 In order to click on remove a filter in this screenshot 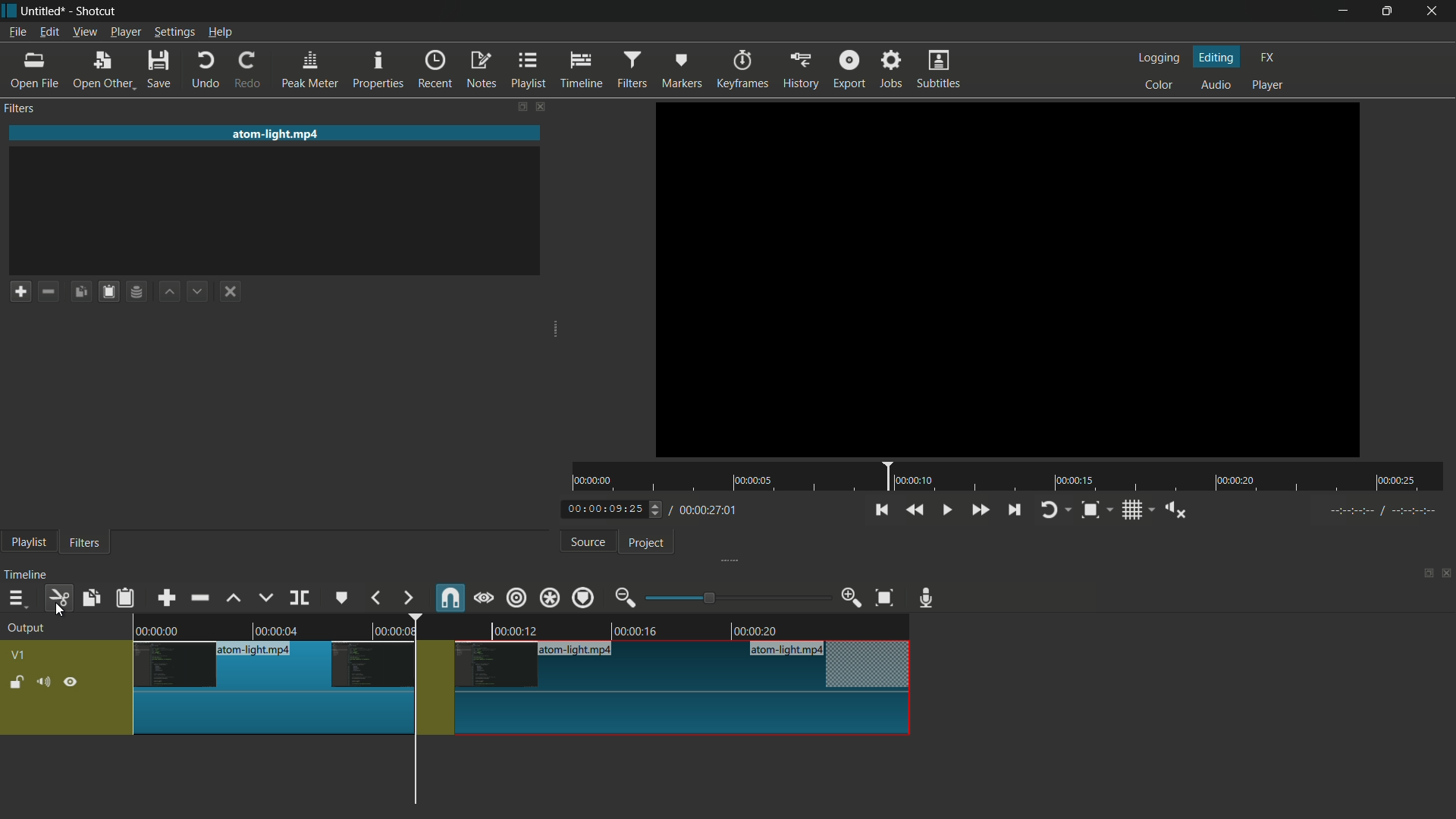, I will do `click(52, 290)`.